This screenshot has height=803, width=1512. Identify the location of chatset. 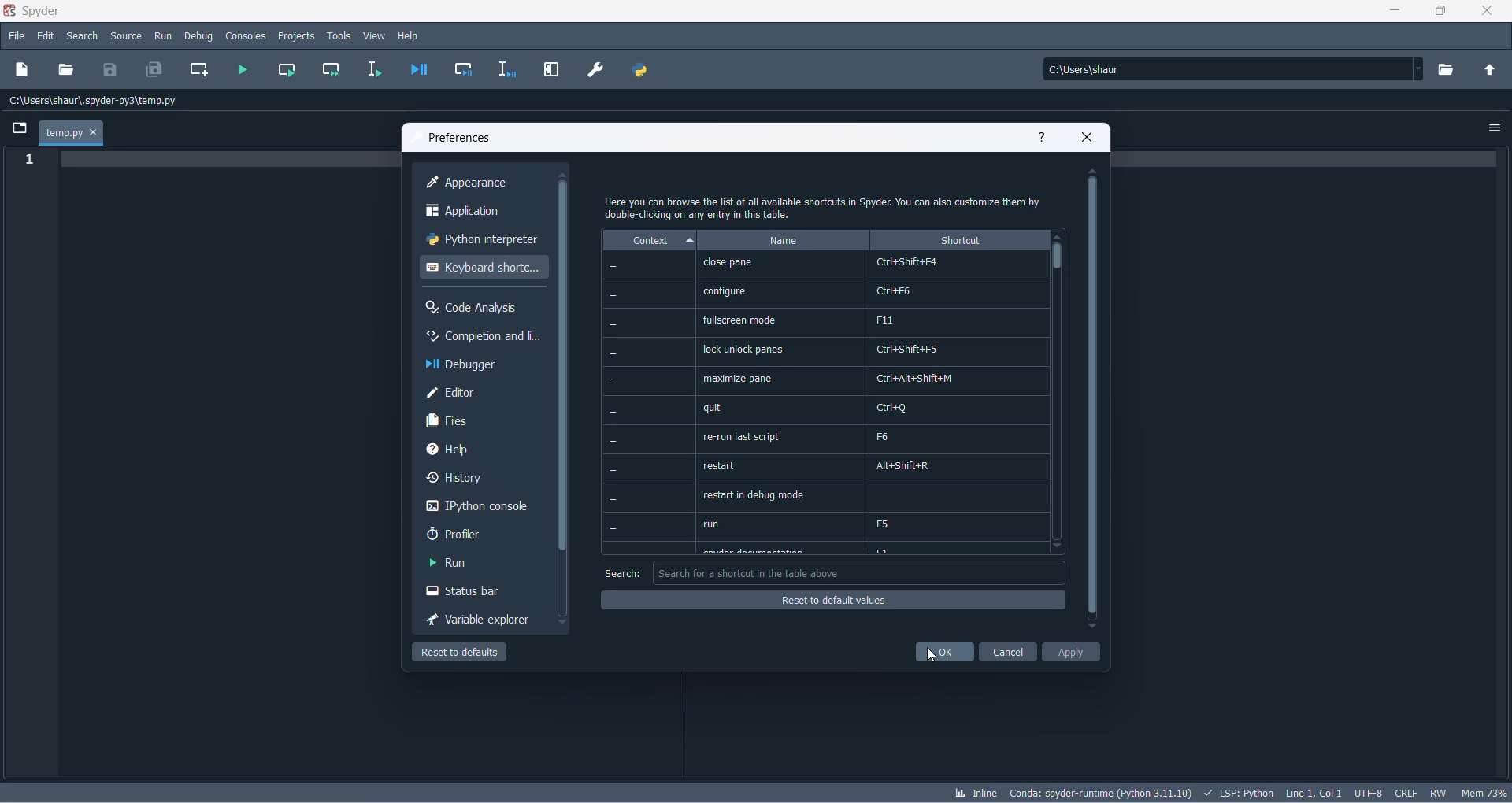
(1368, 791).